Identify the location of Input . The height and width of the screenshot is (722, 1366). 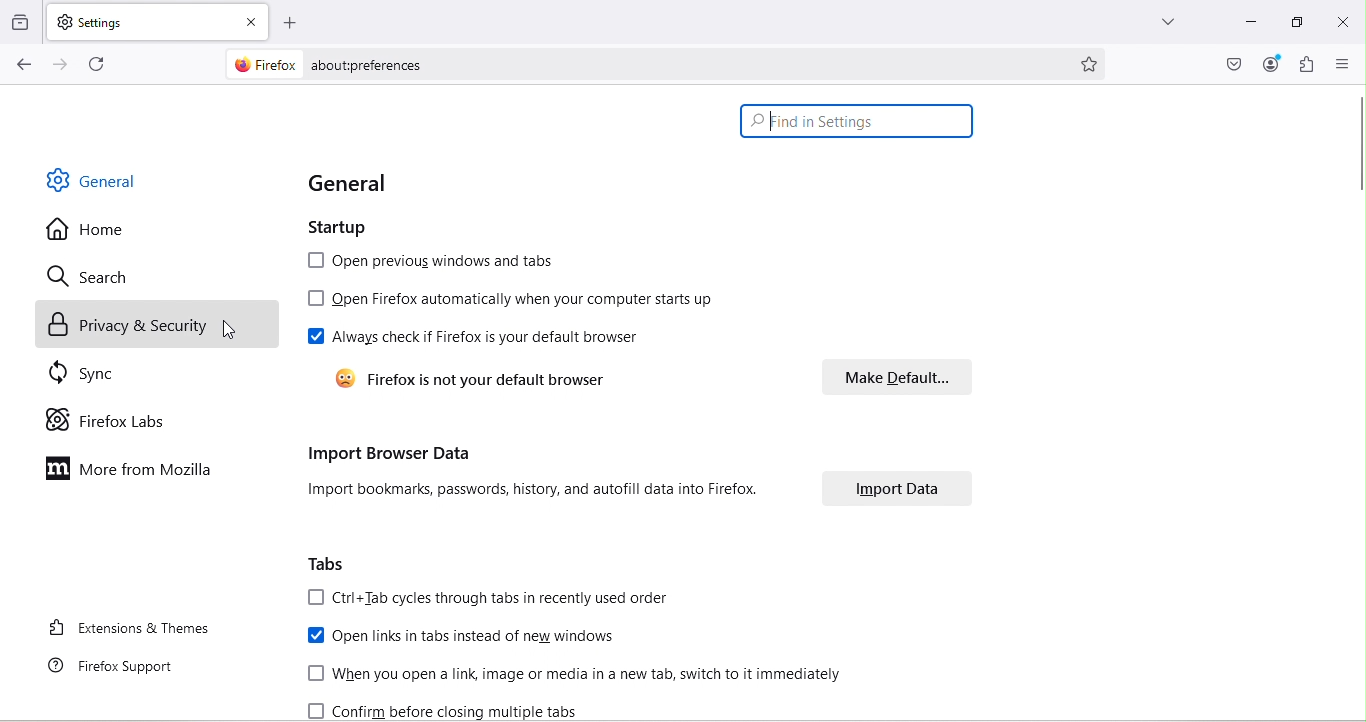
(1245, 25).